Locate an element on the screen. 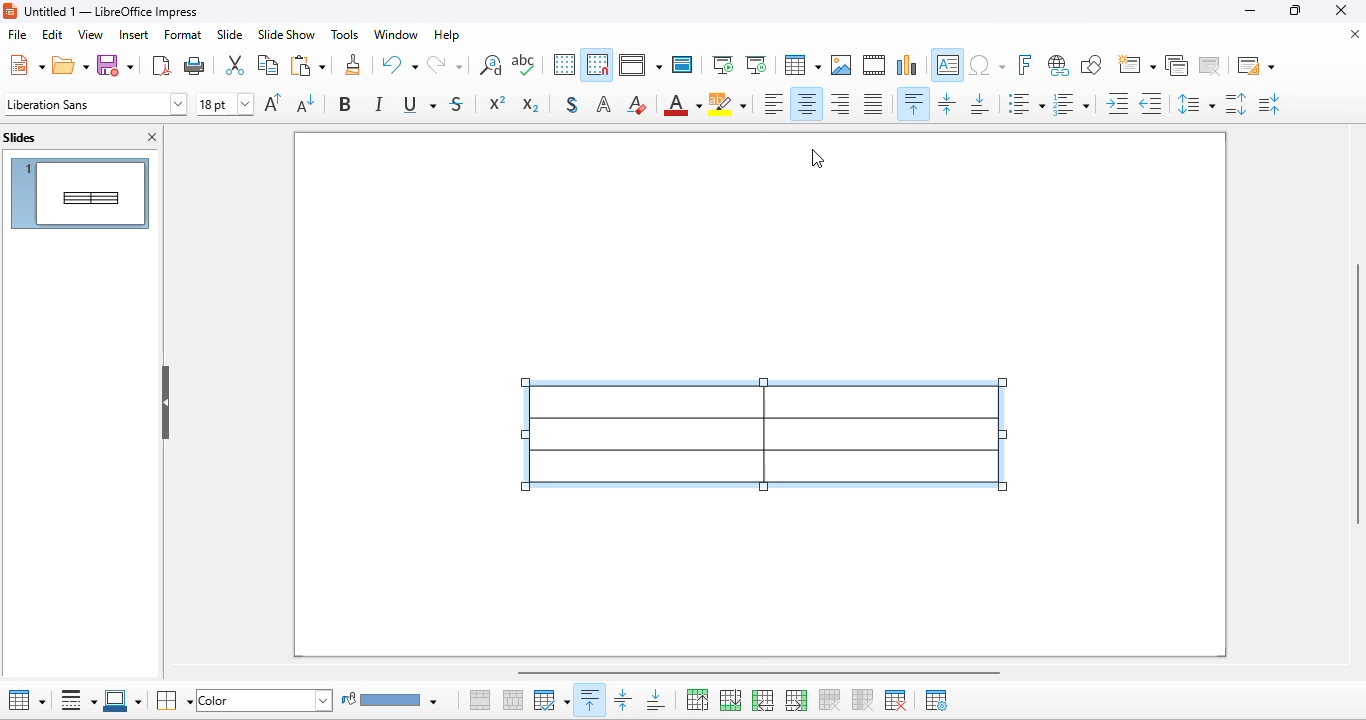 The height and width of the screenshot is (720, 1366). insert audio or video is located at coordinates (874, 64).